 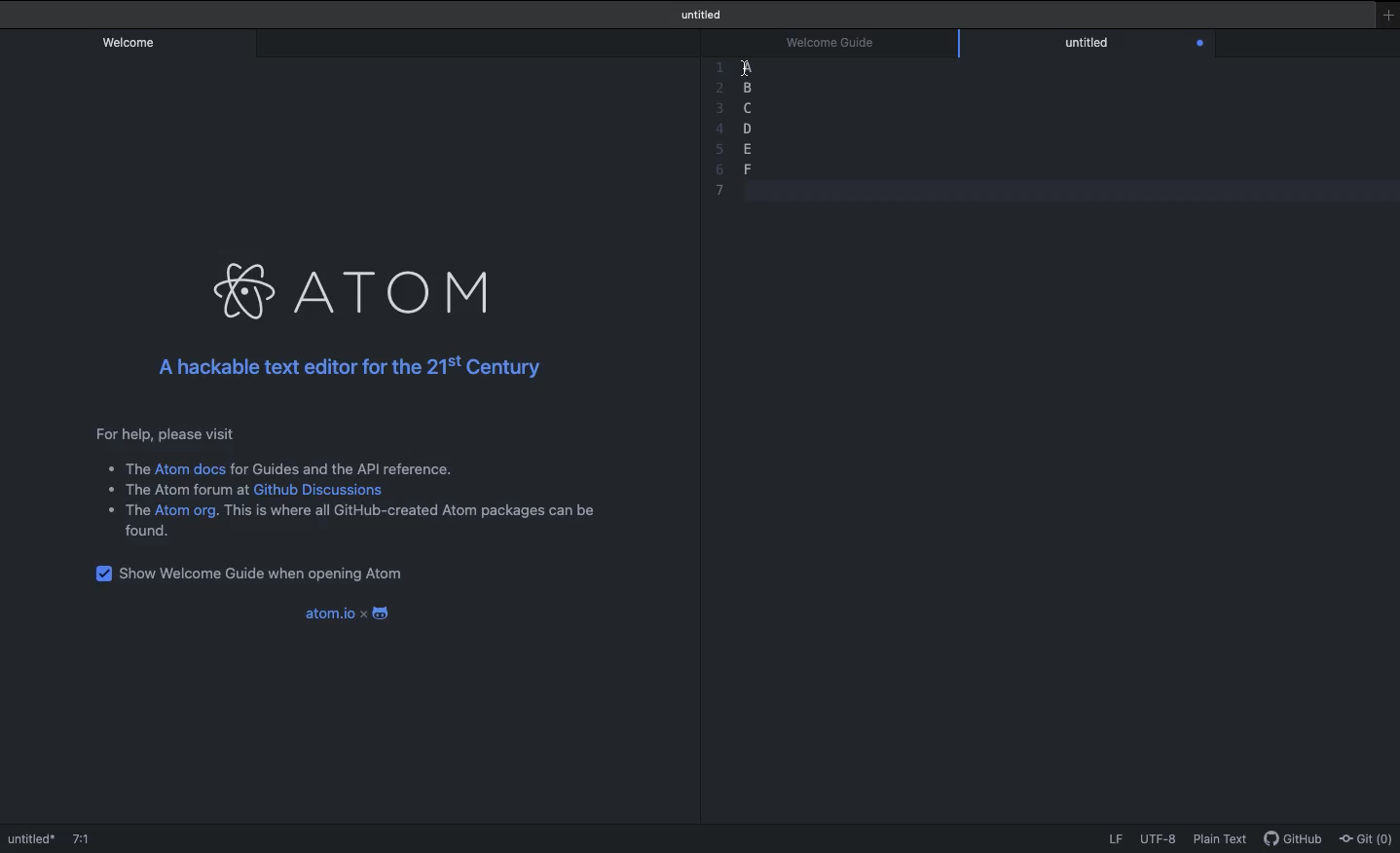 What do you see at coordinates (748, 86) in the screenshot?
I see `b` at bounding box center [748, 86].